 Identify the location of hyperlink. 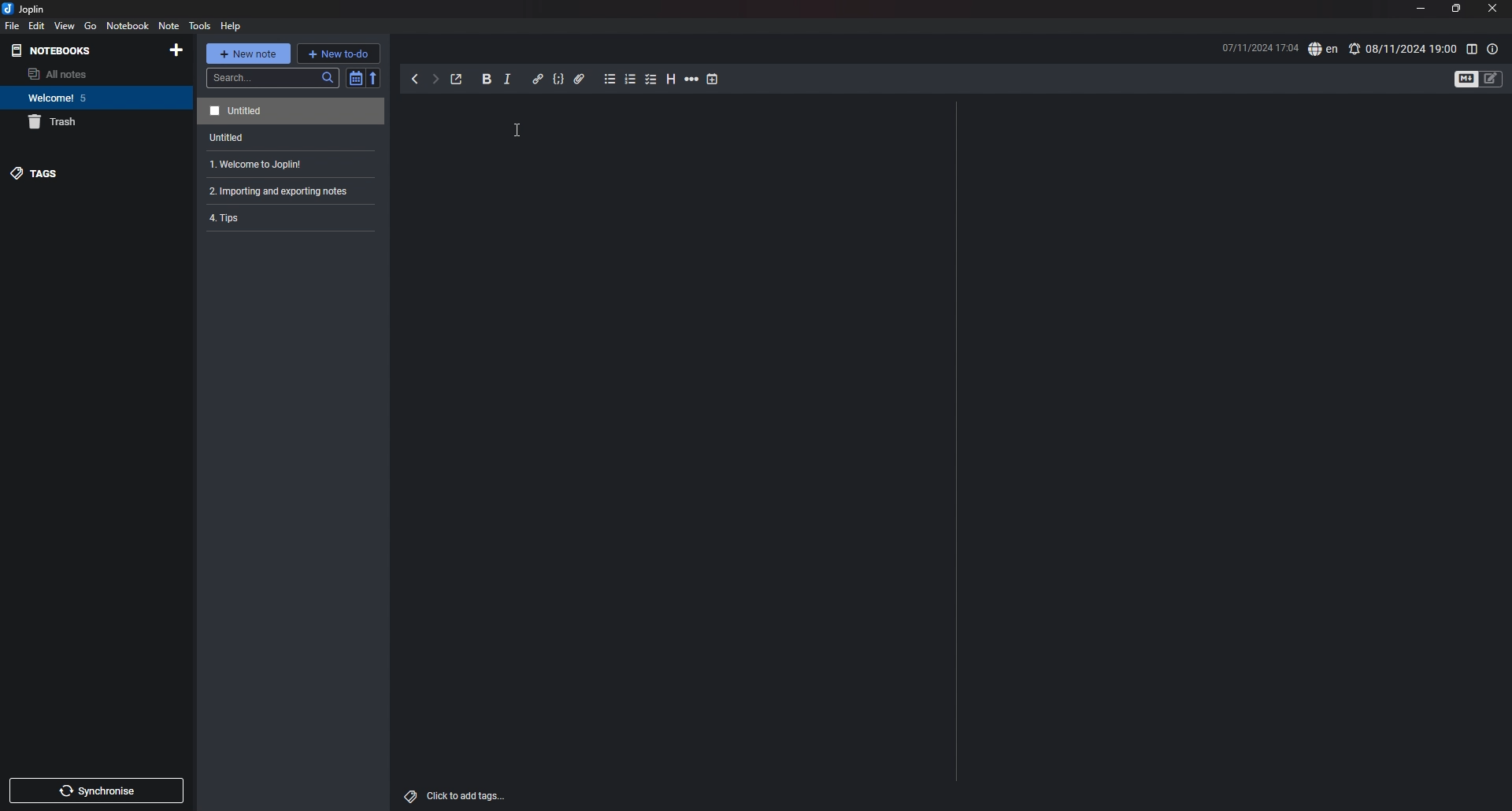
(539, 79).